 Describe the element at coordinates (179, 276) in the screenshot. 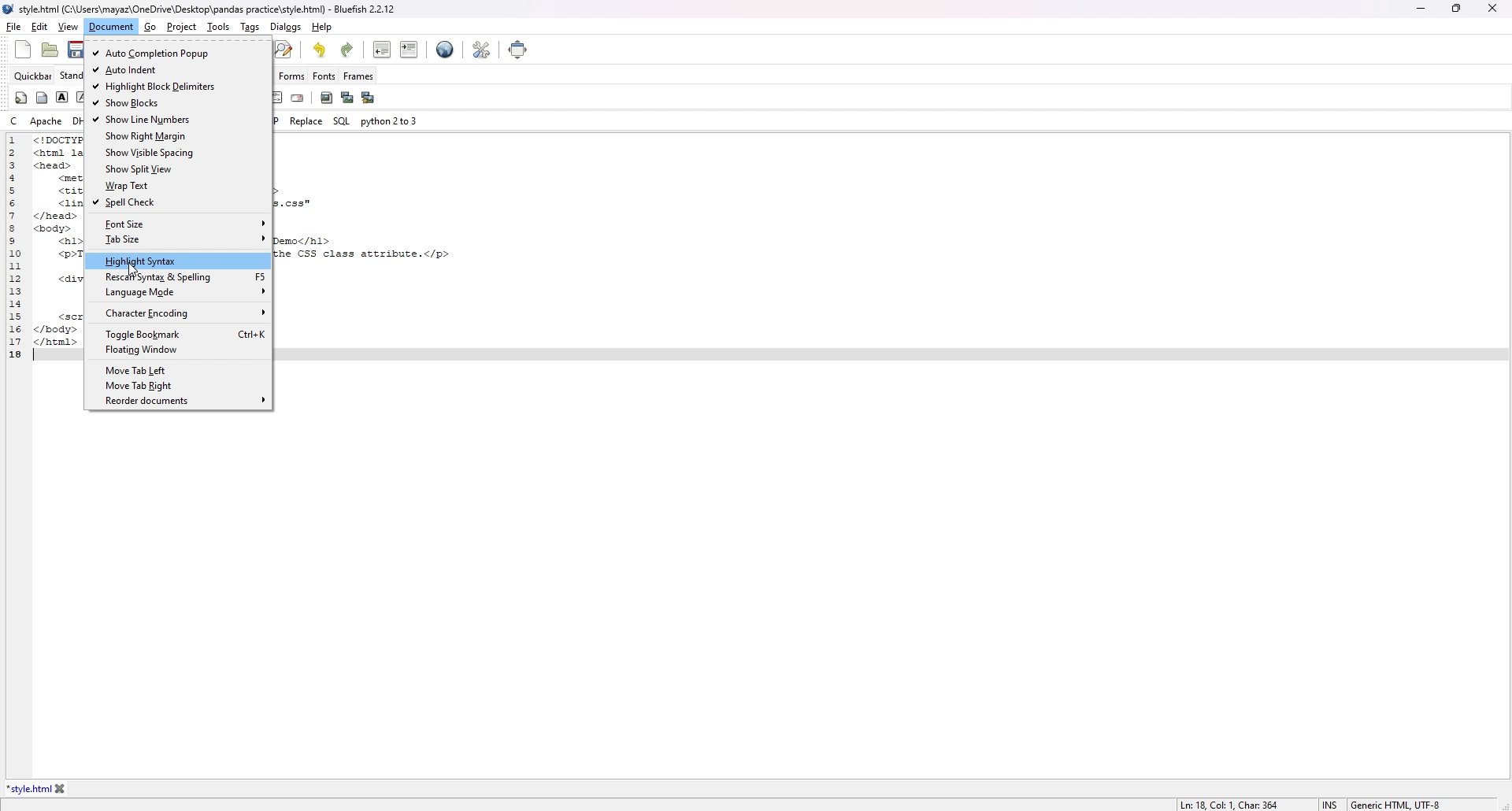

I see `rescan syntax and spelling` at that location.